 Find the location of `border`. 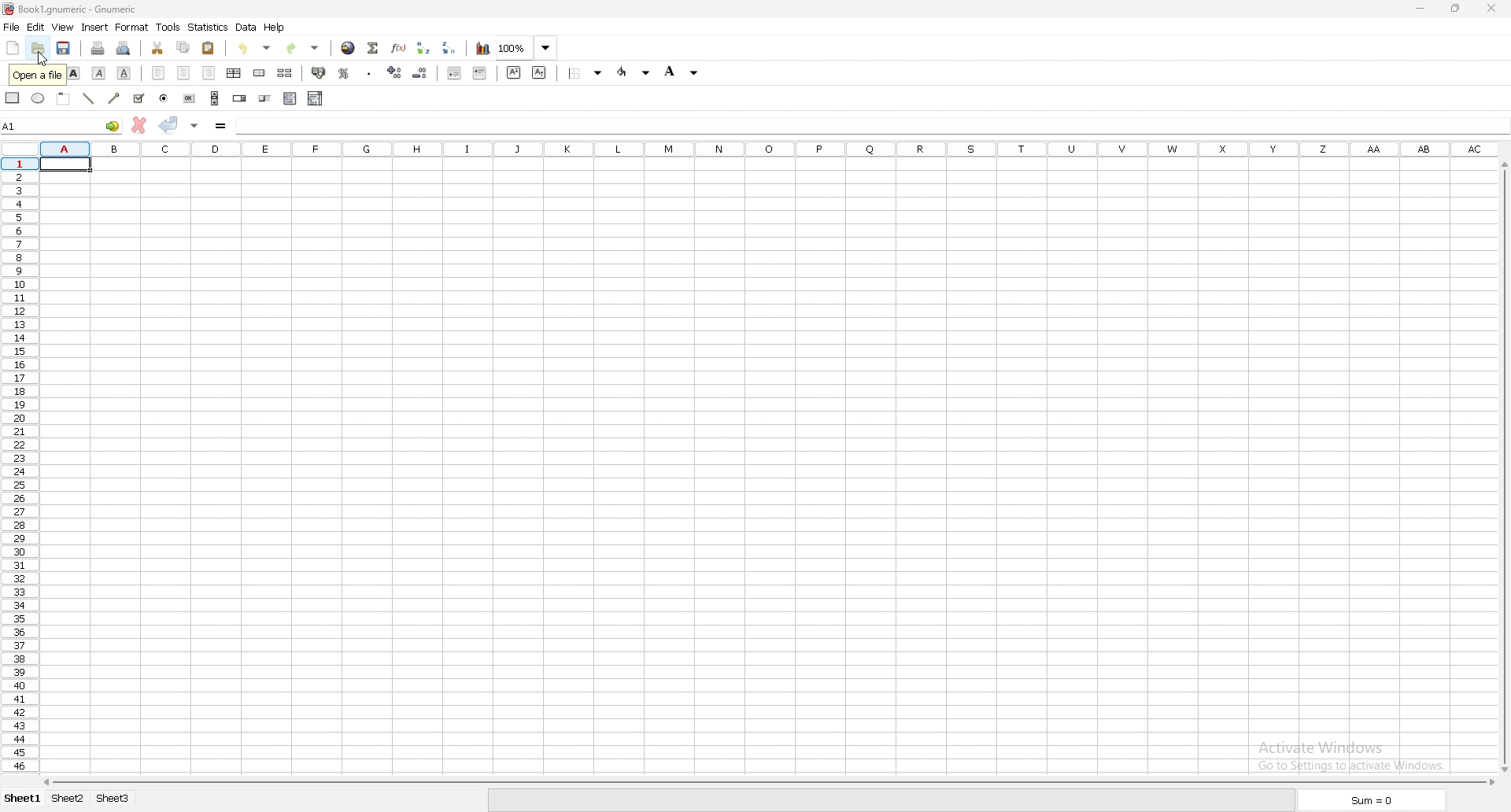

border is located at coordinates (586, 72).